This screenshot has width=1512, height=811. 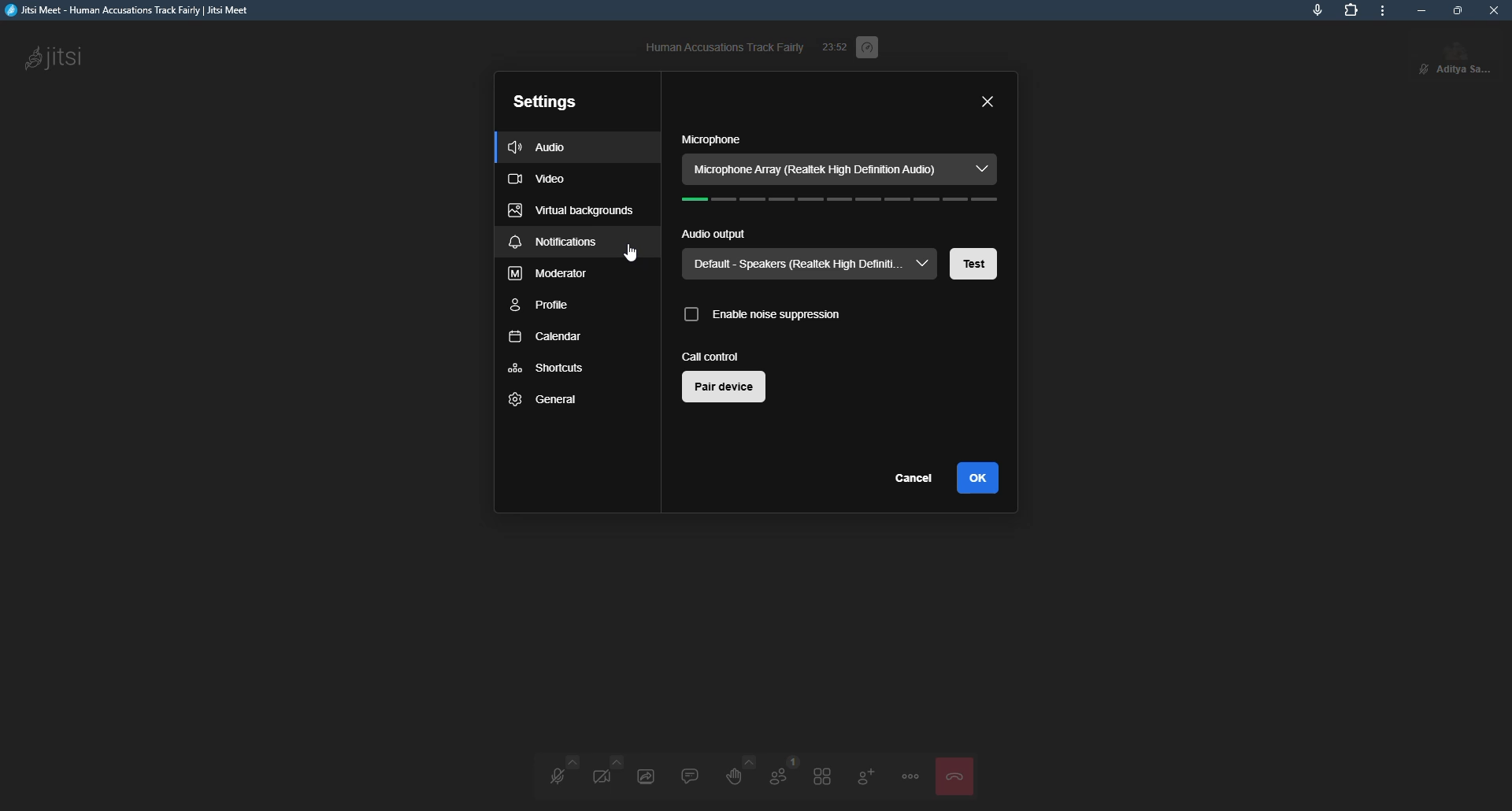 I want to click on chat, so click(x=690, y=774).